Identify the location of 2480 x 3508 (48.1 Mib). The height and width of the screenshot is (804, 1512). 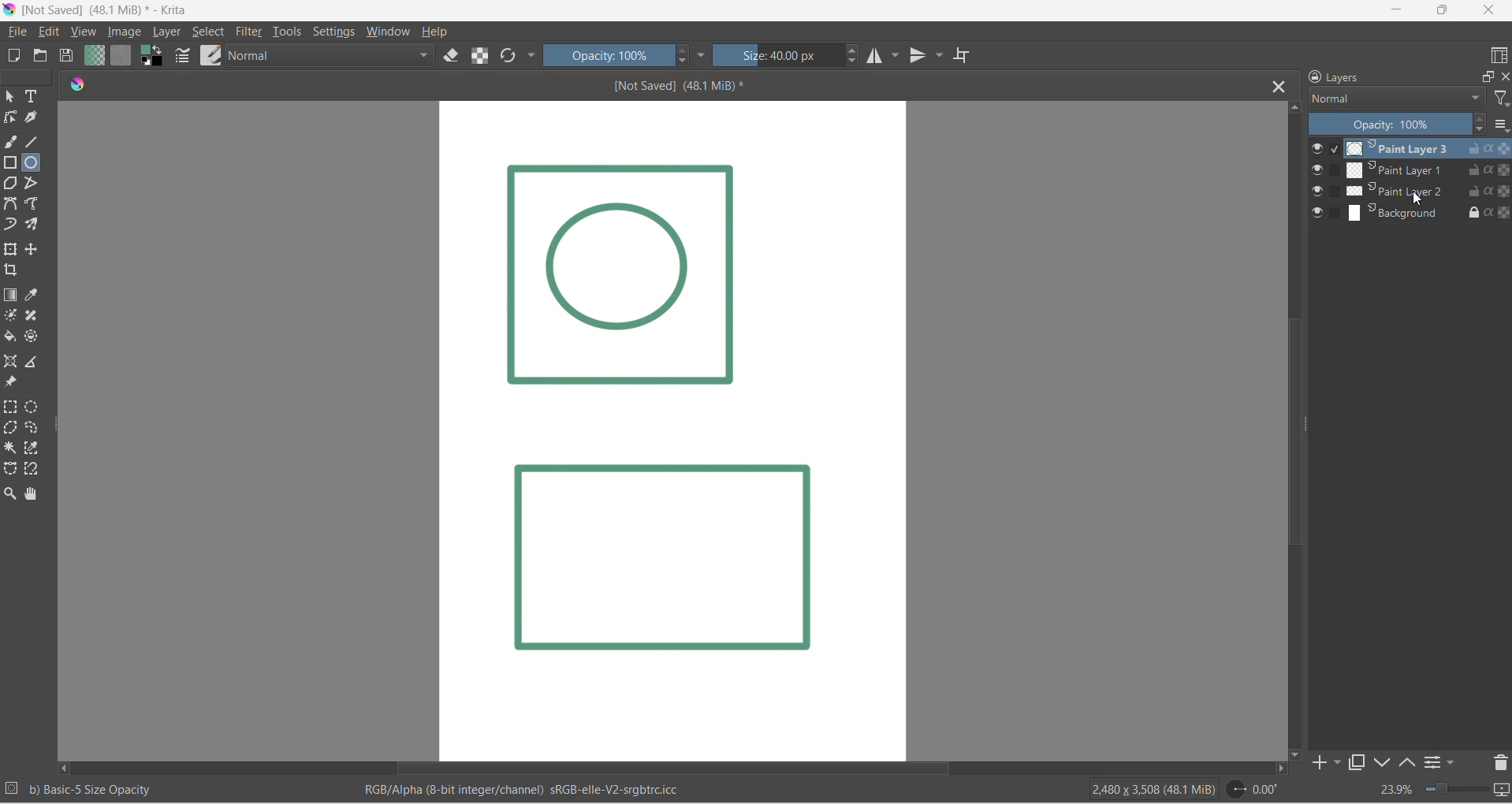
(1141, 791).